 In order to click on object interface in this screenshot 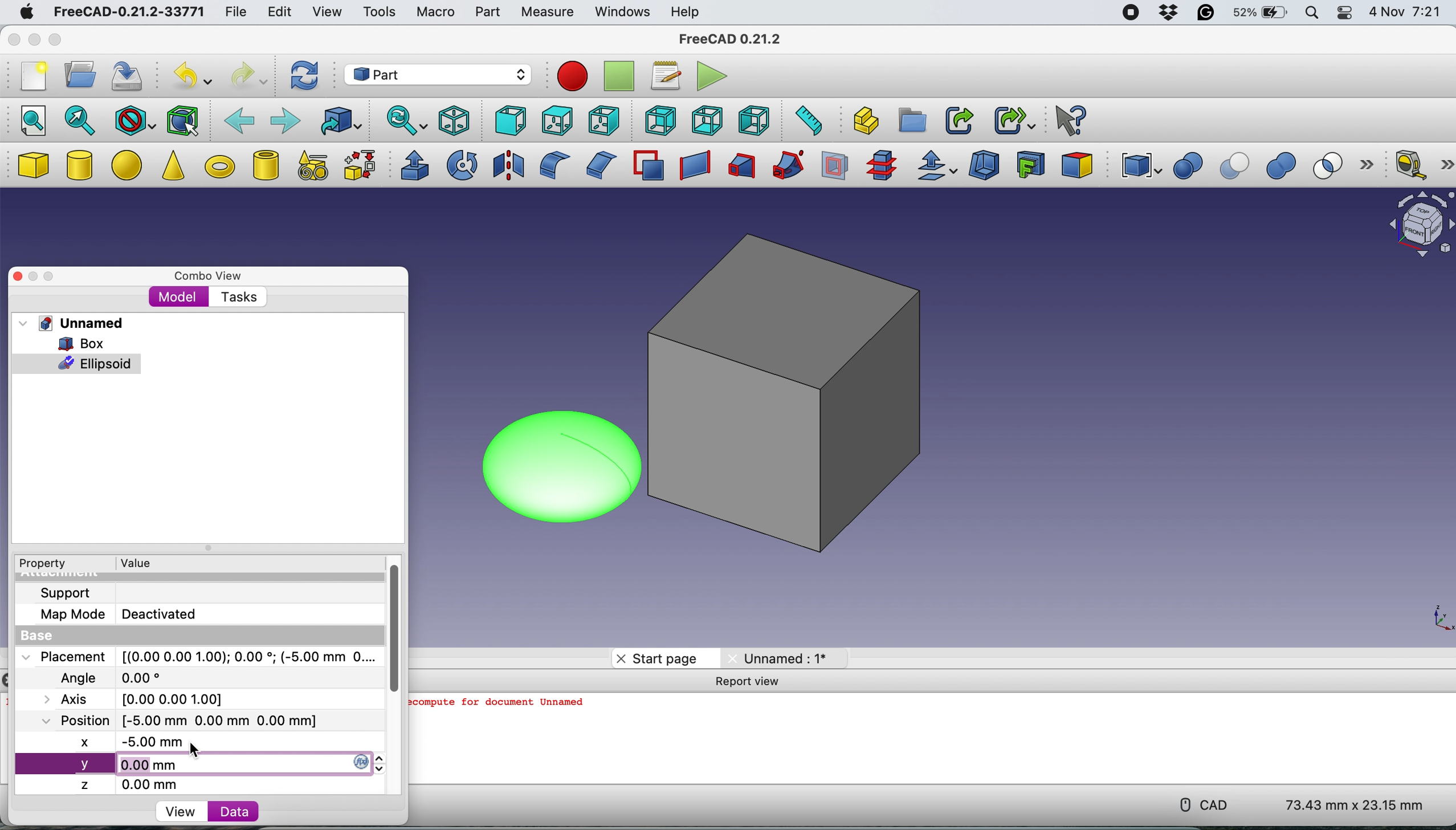, I will do `click(1421, 226)`.